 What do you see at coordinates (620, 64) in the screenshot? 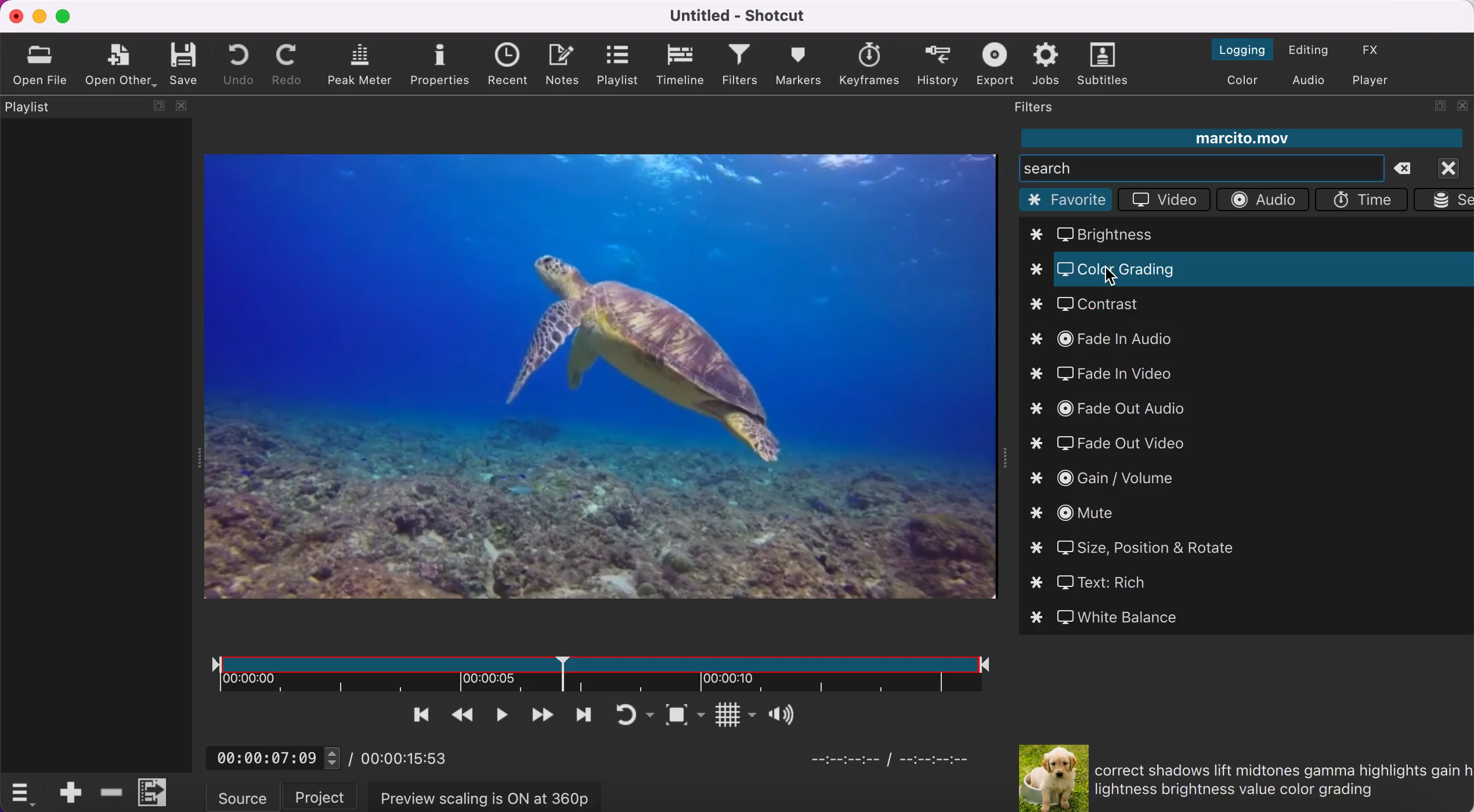
I see `playlist` at bounding box center [620, 64].